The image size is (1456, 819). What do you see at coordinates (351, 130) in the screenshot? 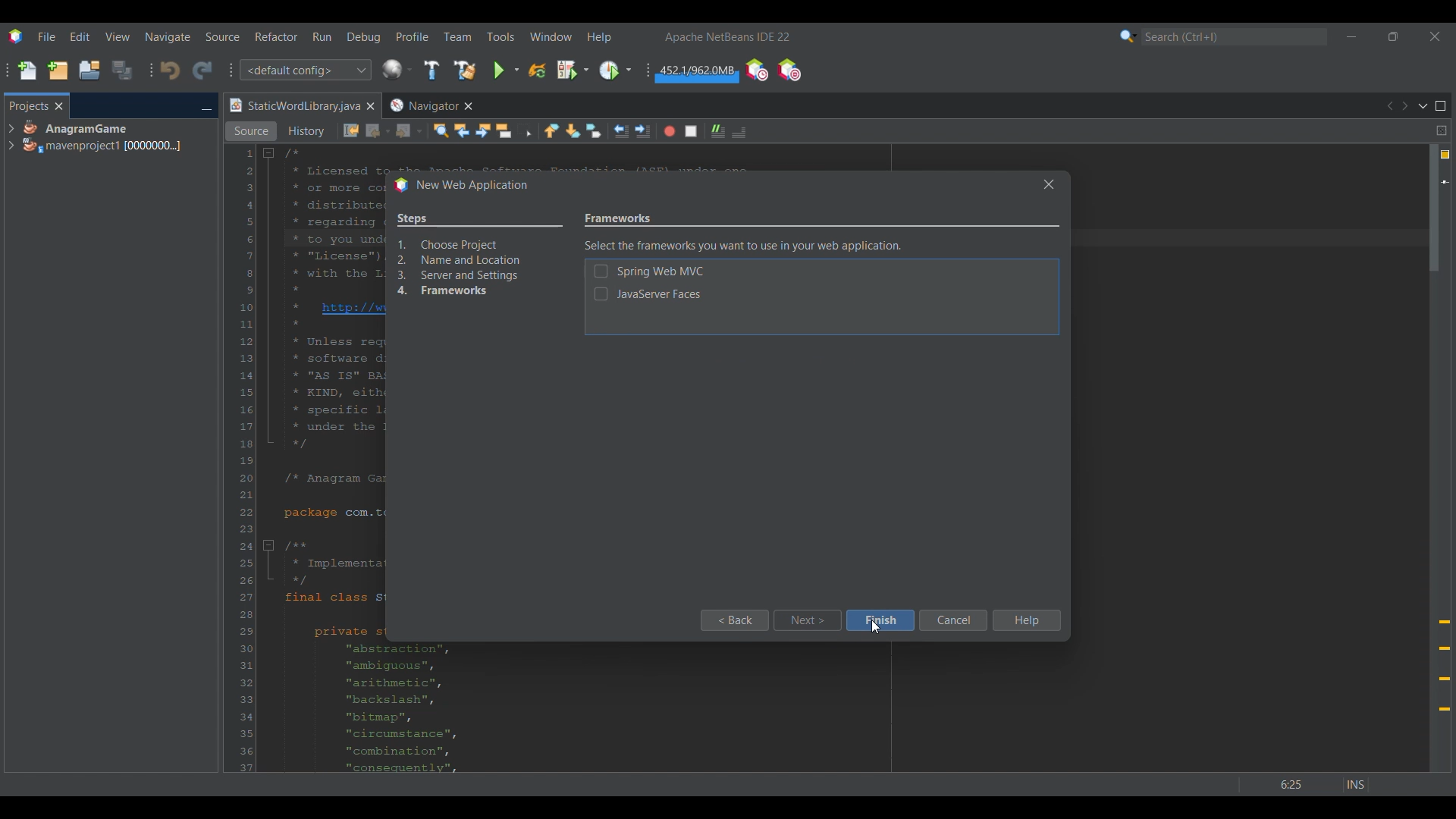
I see `Last edit` at bounding box center [351, 130].